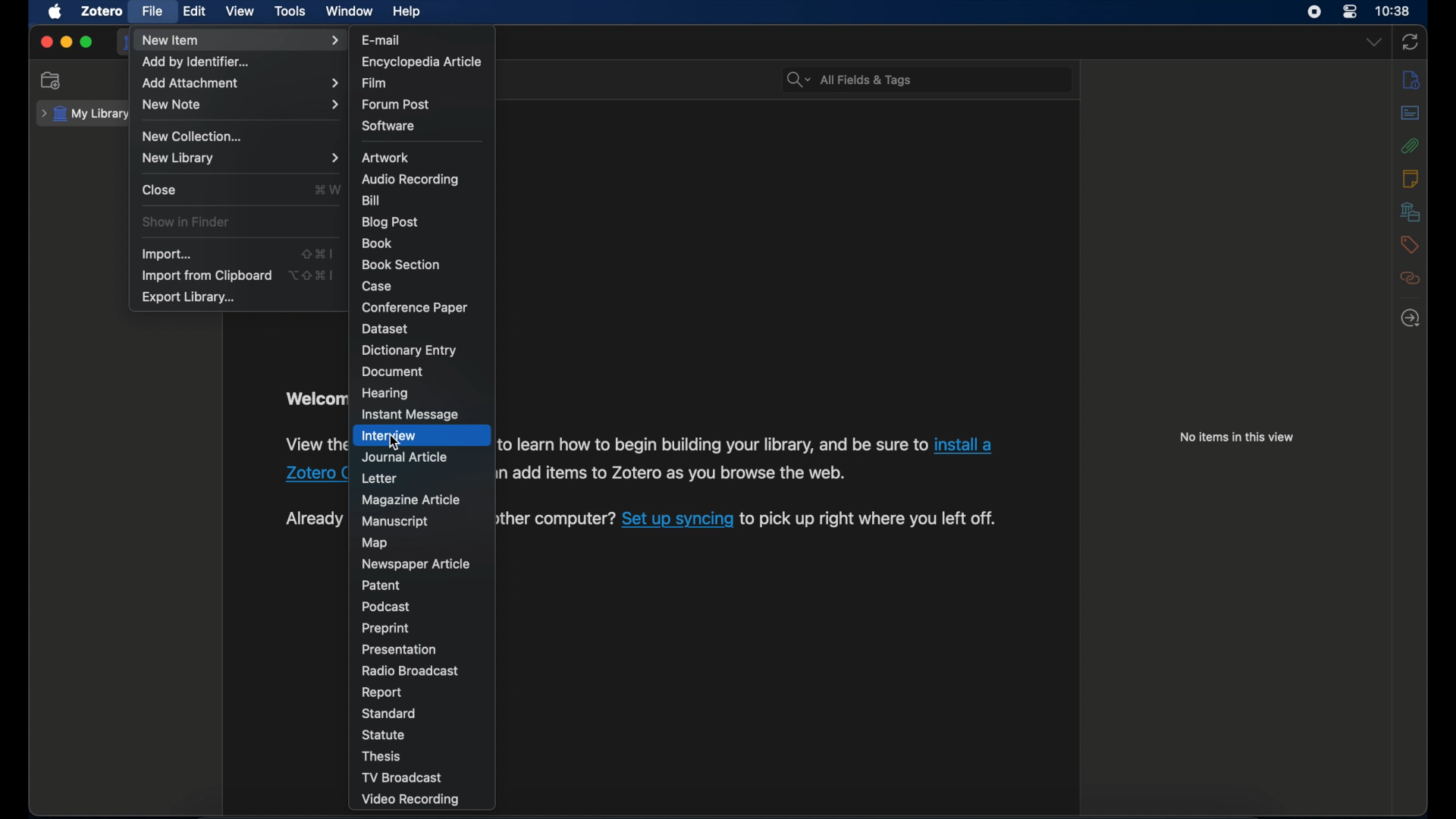 The width and height of the screenshot is (1456, 819). Describe the element at coordinates (381, 585) in the screenshot. I see `patent` at that location.